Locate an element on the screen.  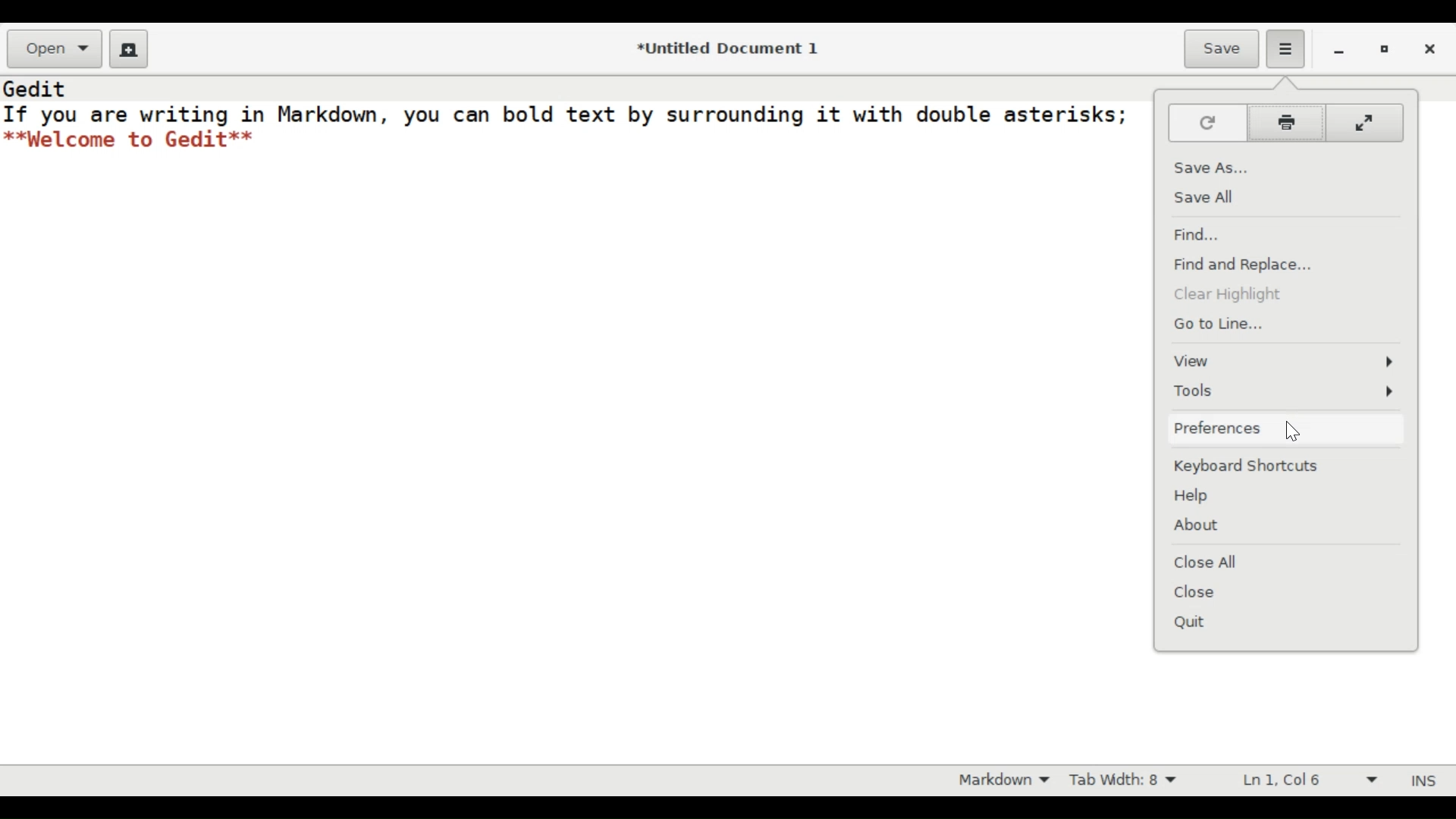
Reload is located at coordinates (1208, 122).